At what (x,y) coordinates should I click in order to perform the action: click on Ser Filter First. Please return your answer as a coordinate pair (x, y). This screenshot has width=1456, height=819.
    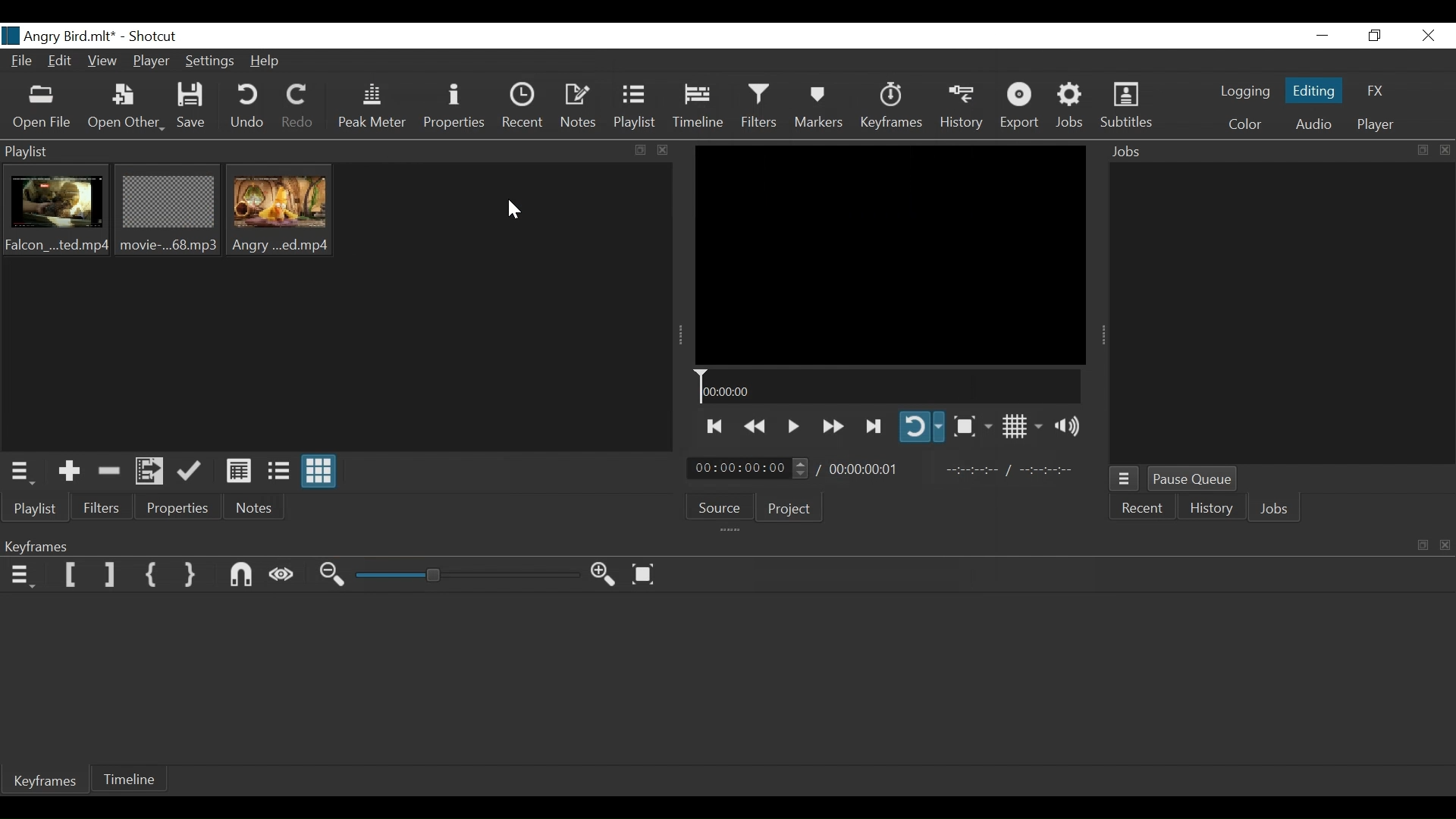
    Looking at the image, I should click on (71, 575).